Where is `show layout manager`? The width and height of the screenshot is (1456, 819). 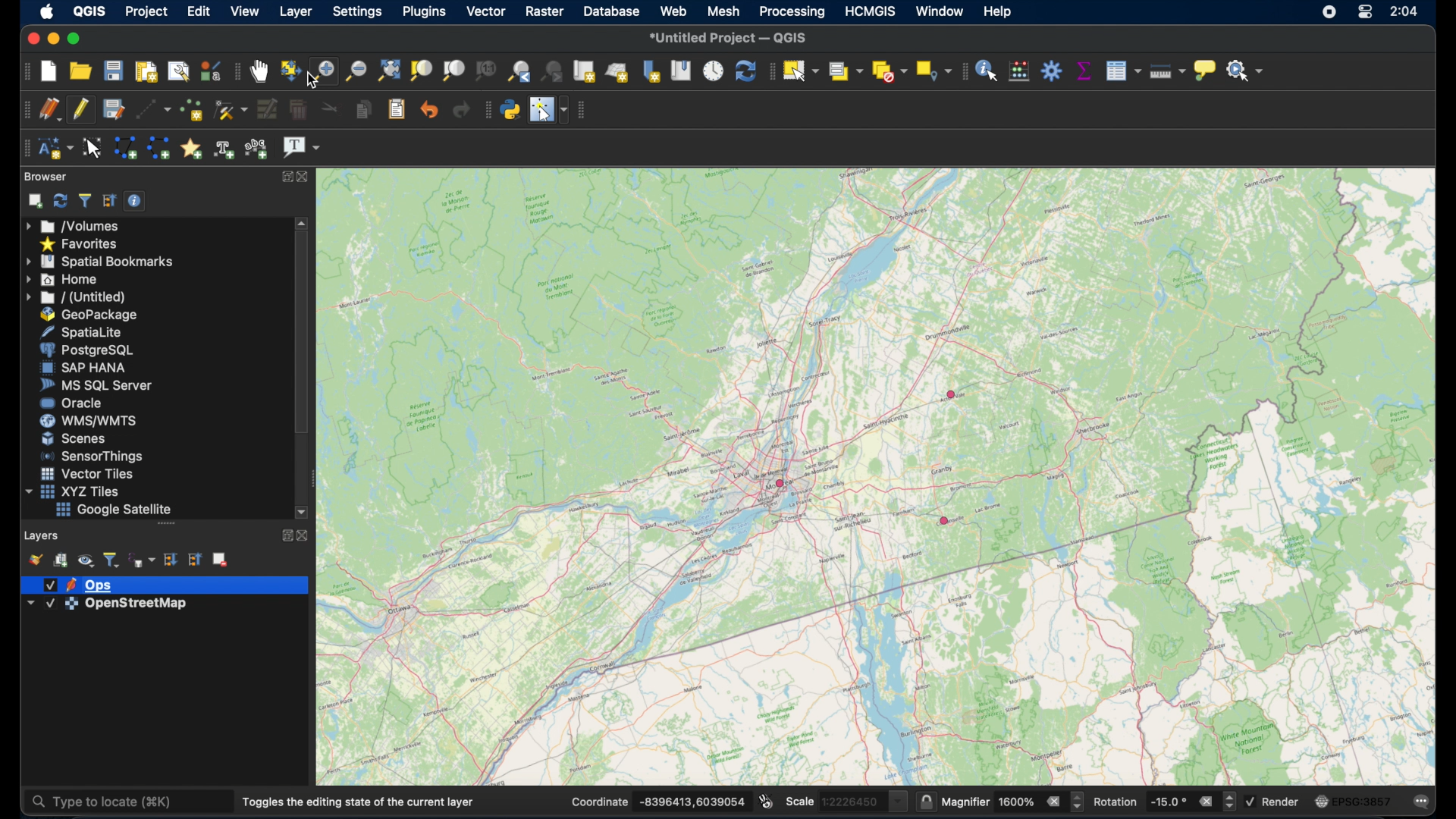 show layout manager is located at coordinates (179, 71).